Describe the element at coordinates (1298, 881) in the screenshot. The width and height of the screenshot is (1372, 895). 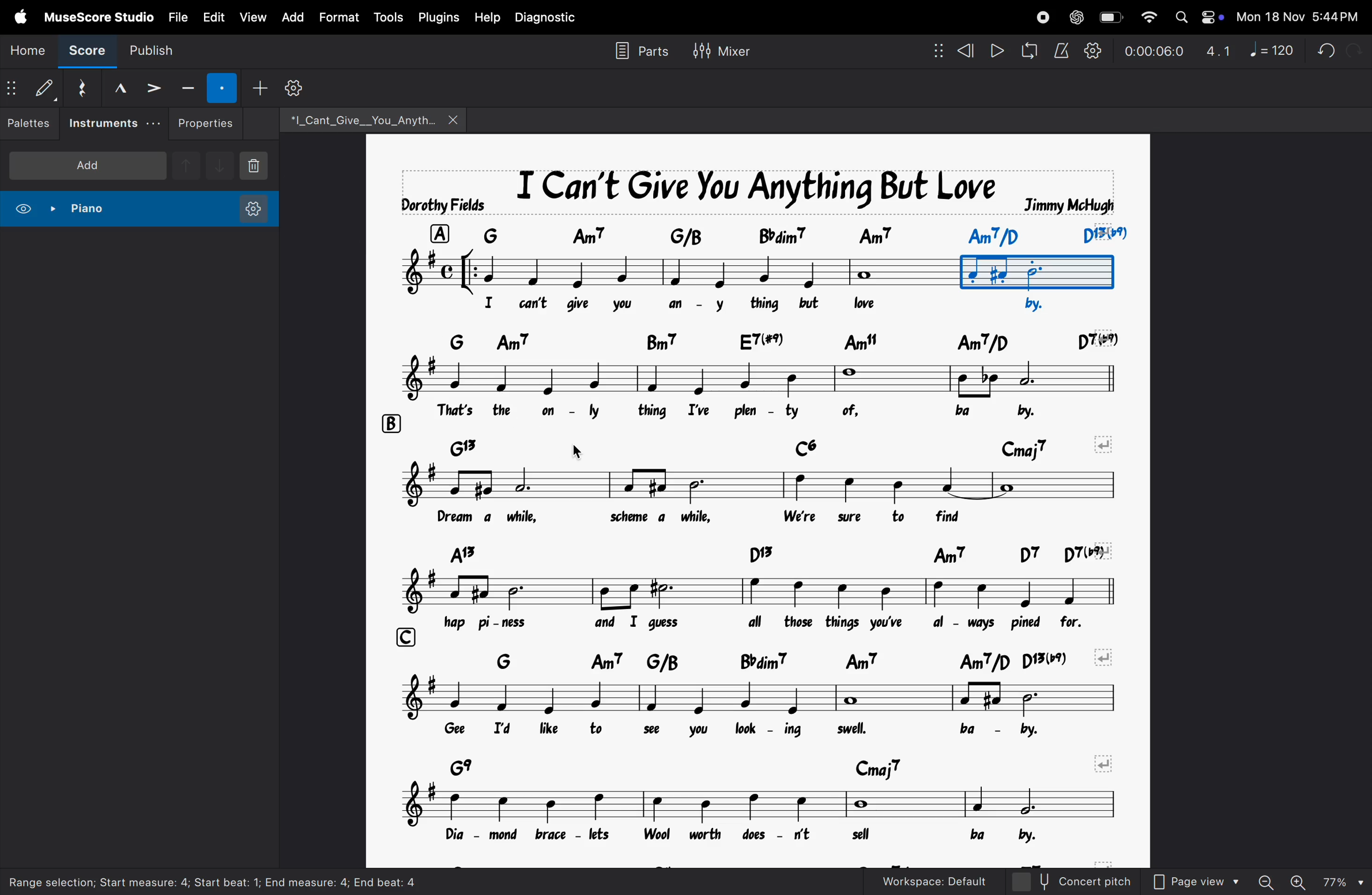
I see `zoom in` at that location.